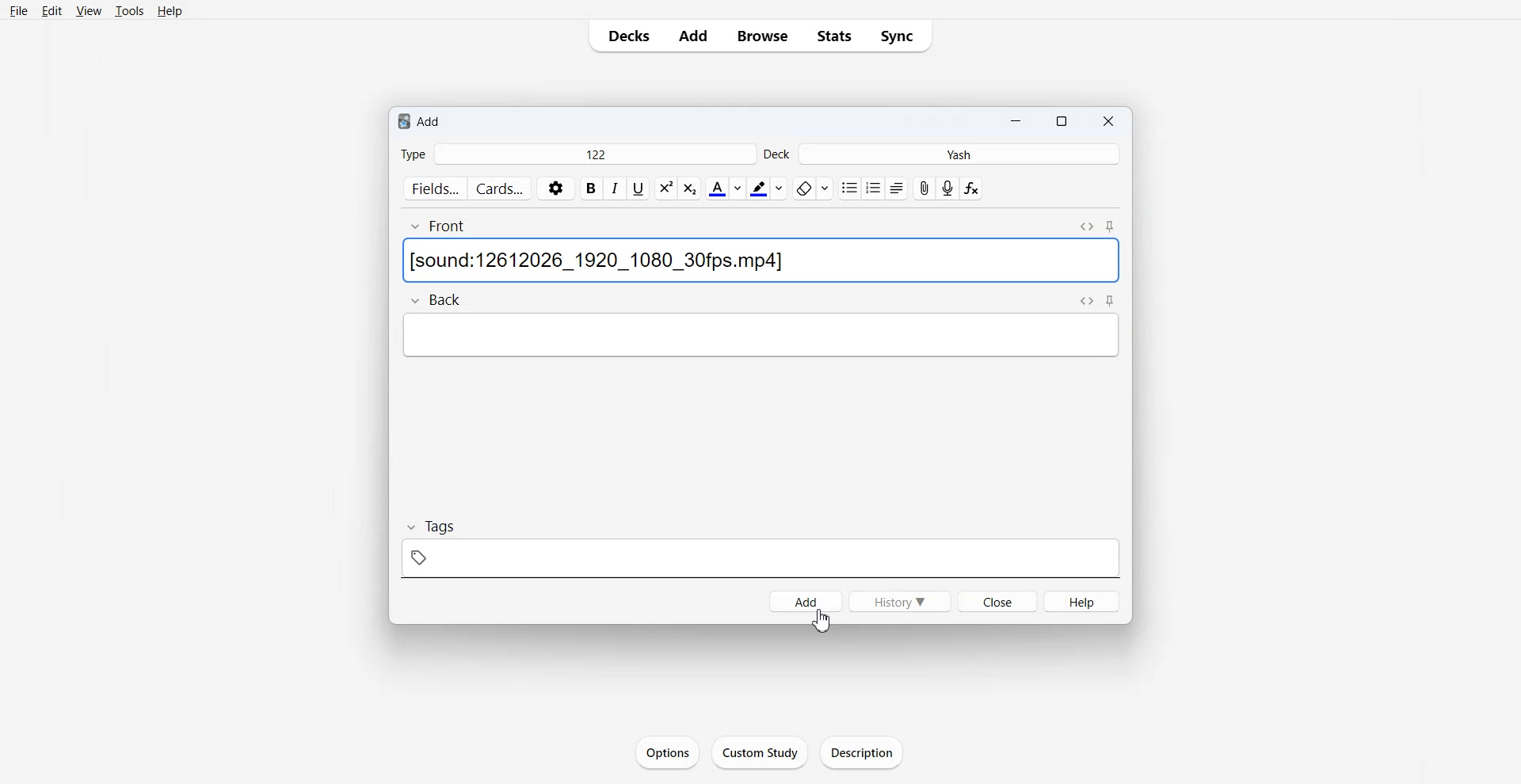 The width and height of the screenshot is (1521, 784). Describe the element at coordinates (666, 188) in the screenshot. I see `Subscript` at that location.